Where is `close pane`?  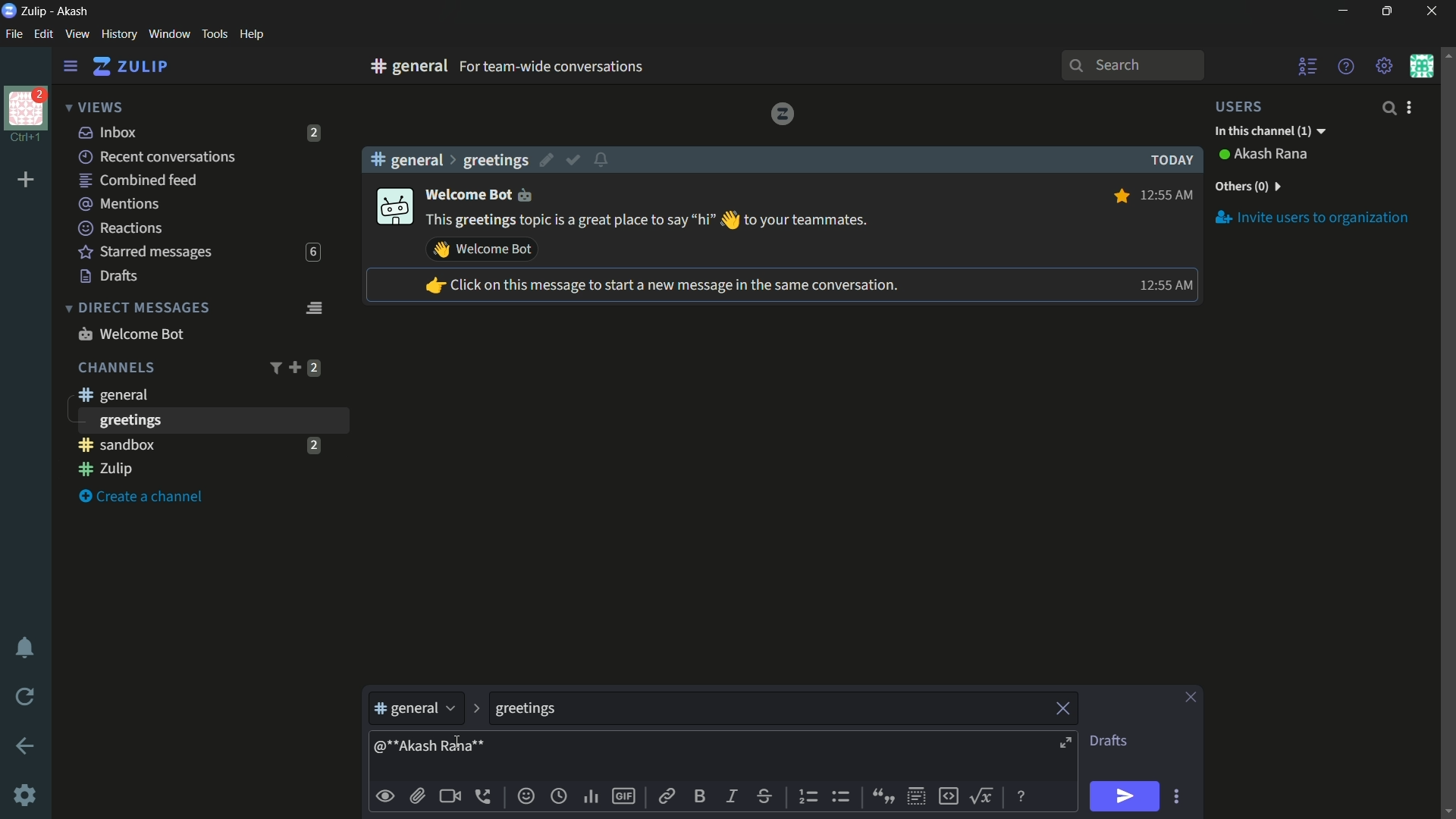
close pane is located at coordinates (1191, 698).